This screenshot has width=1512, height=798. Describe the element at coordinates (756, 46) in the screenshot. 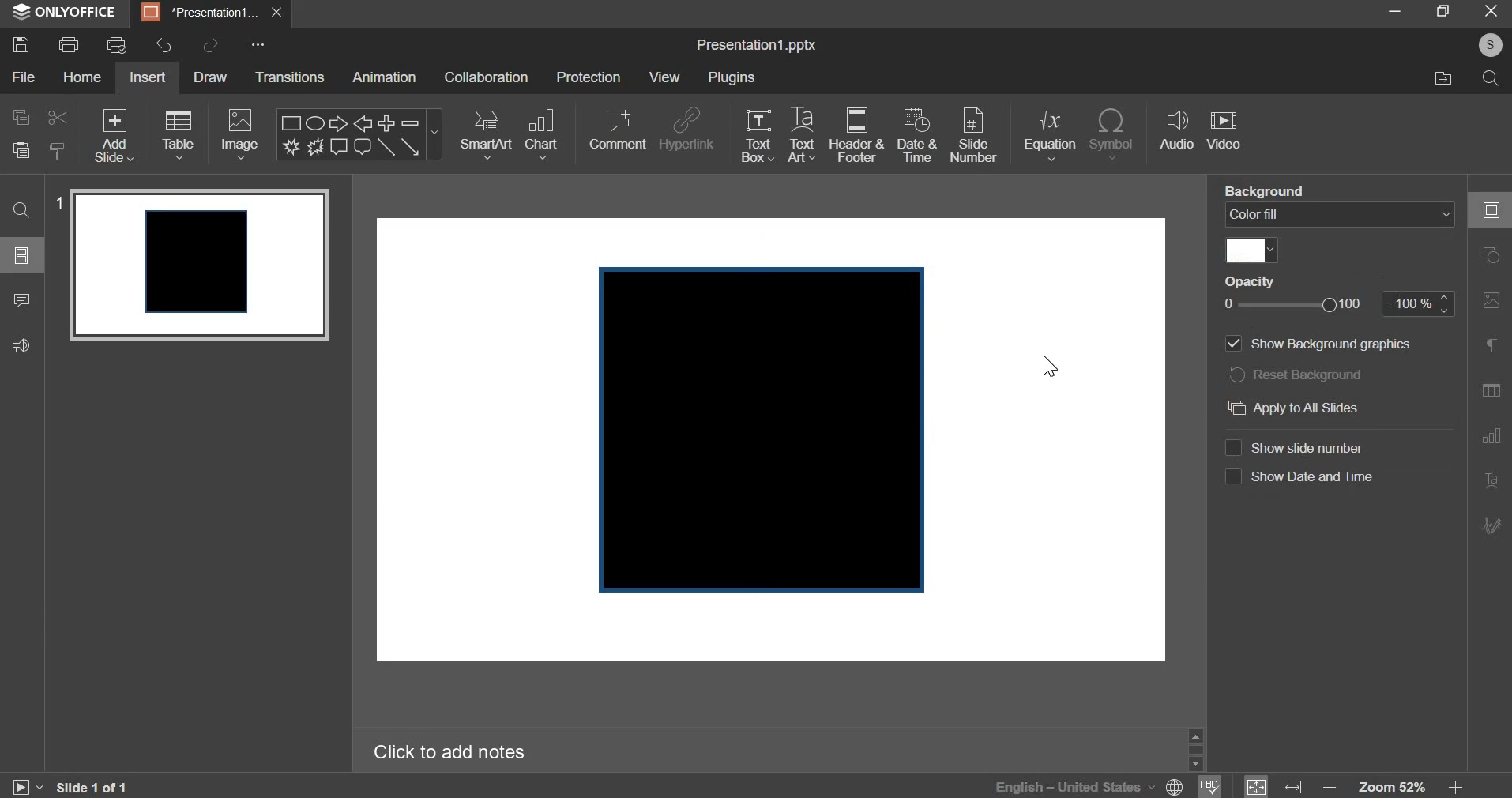

I see `presentation.pptx` at that location.